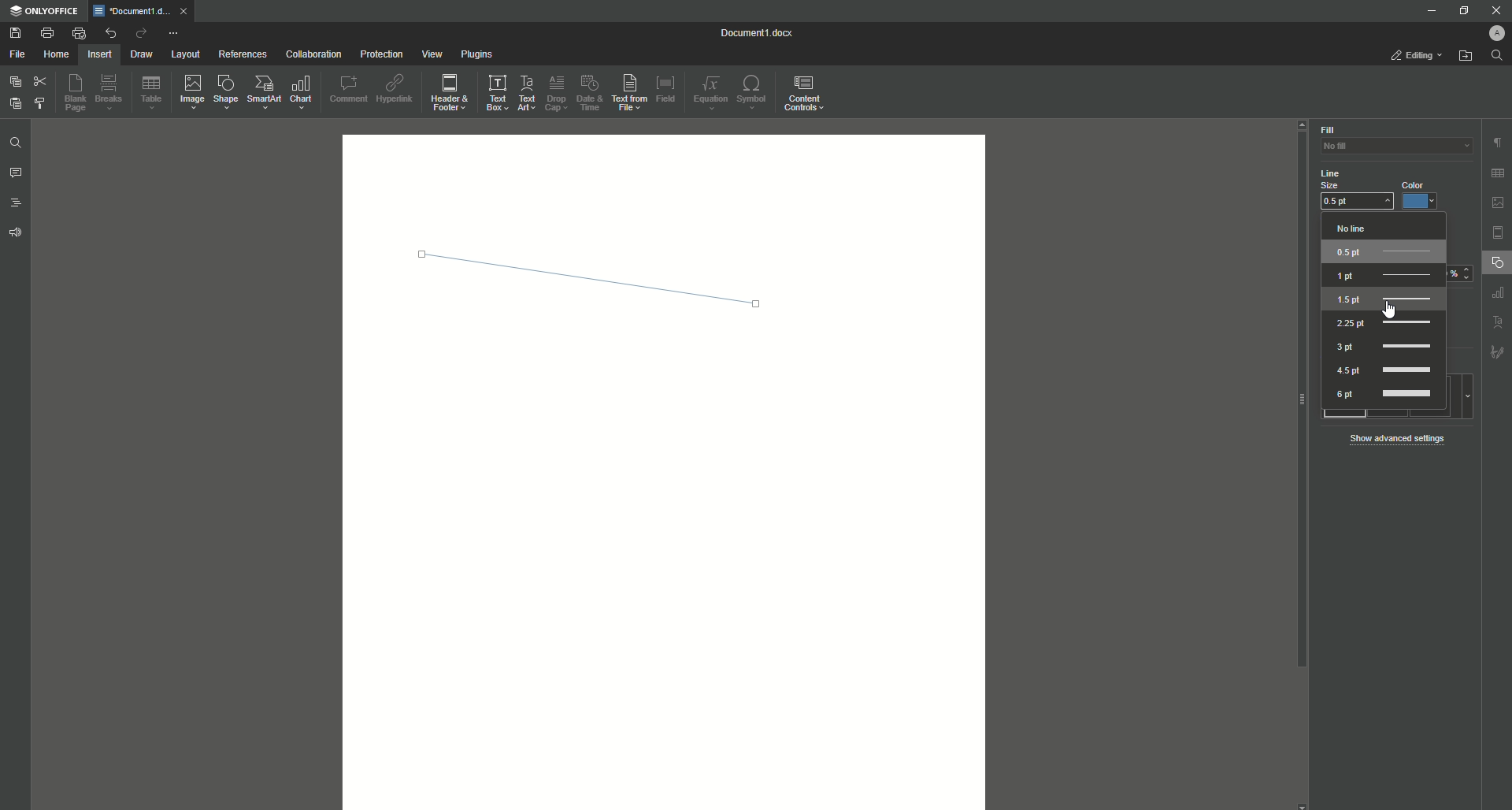 Image resolution: width=1512 pixels, height=810 pixels. I want to click on paragraph, so click(1496, 138).